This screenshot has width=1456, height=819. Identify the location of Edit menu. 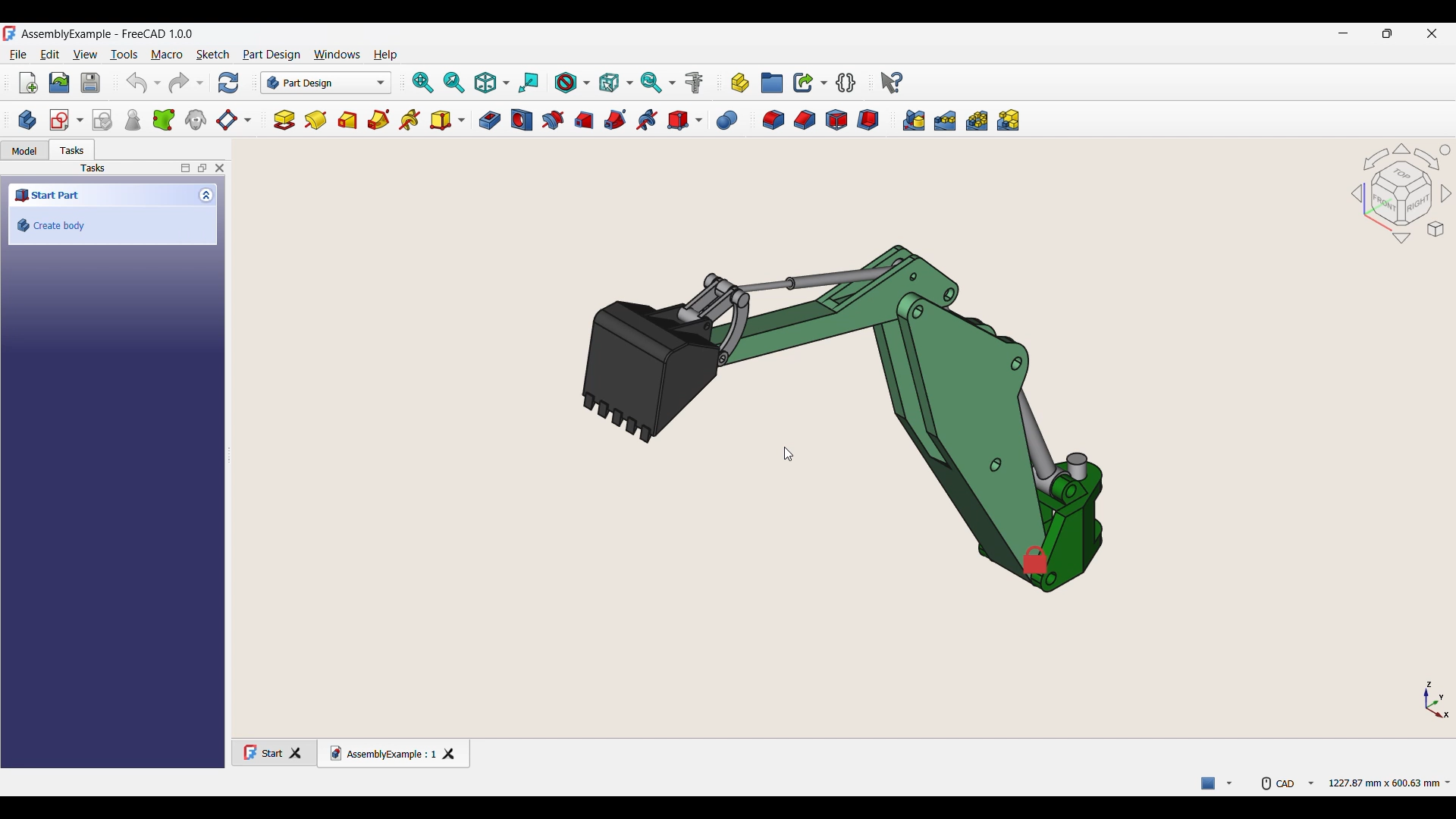
(50, 55).